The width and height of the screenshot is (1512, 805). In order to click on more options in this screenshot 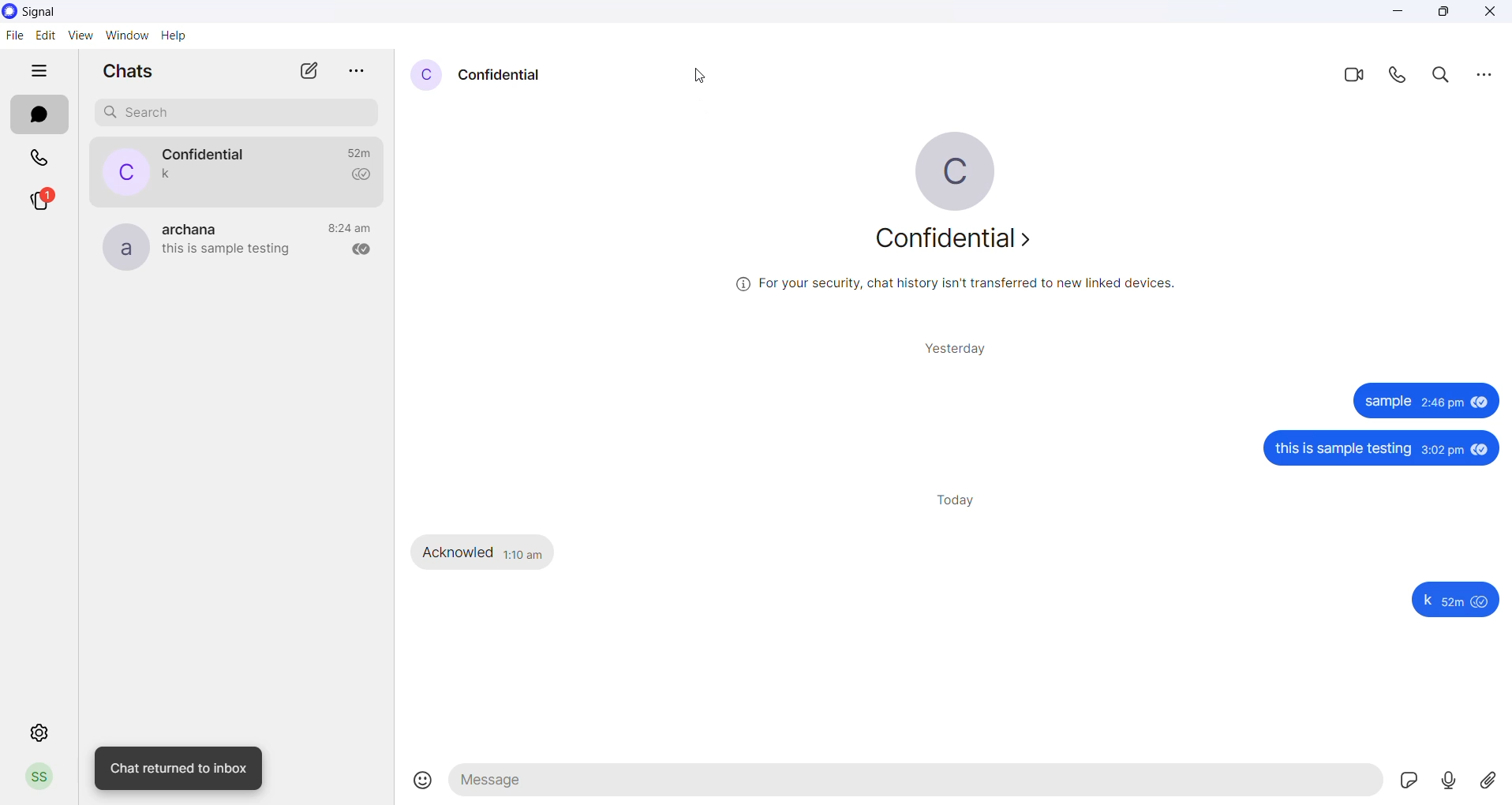, I will do `click(361, 73)`.